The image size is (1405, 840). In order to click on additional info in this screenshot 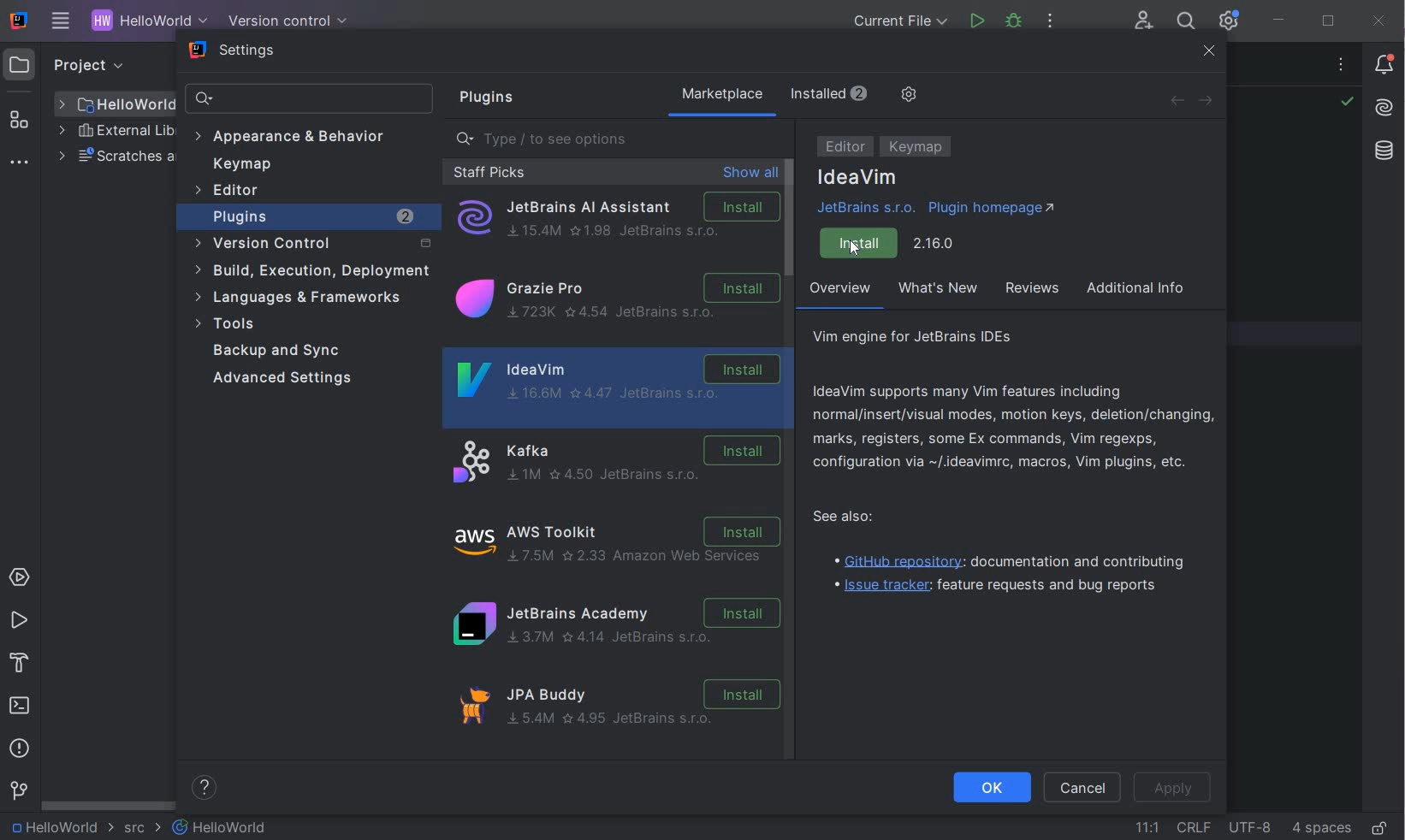, I will do `click(1144, 288)`.